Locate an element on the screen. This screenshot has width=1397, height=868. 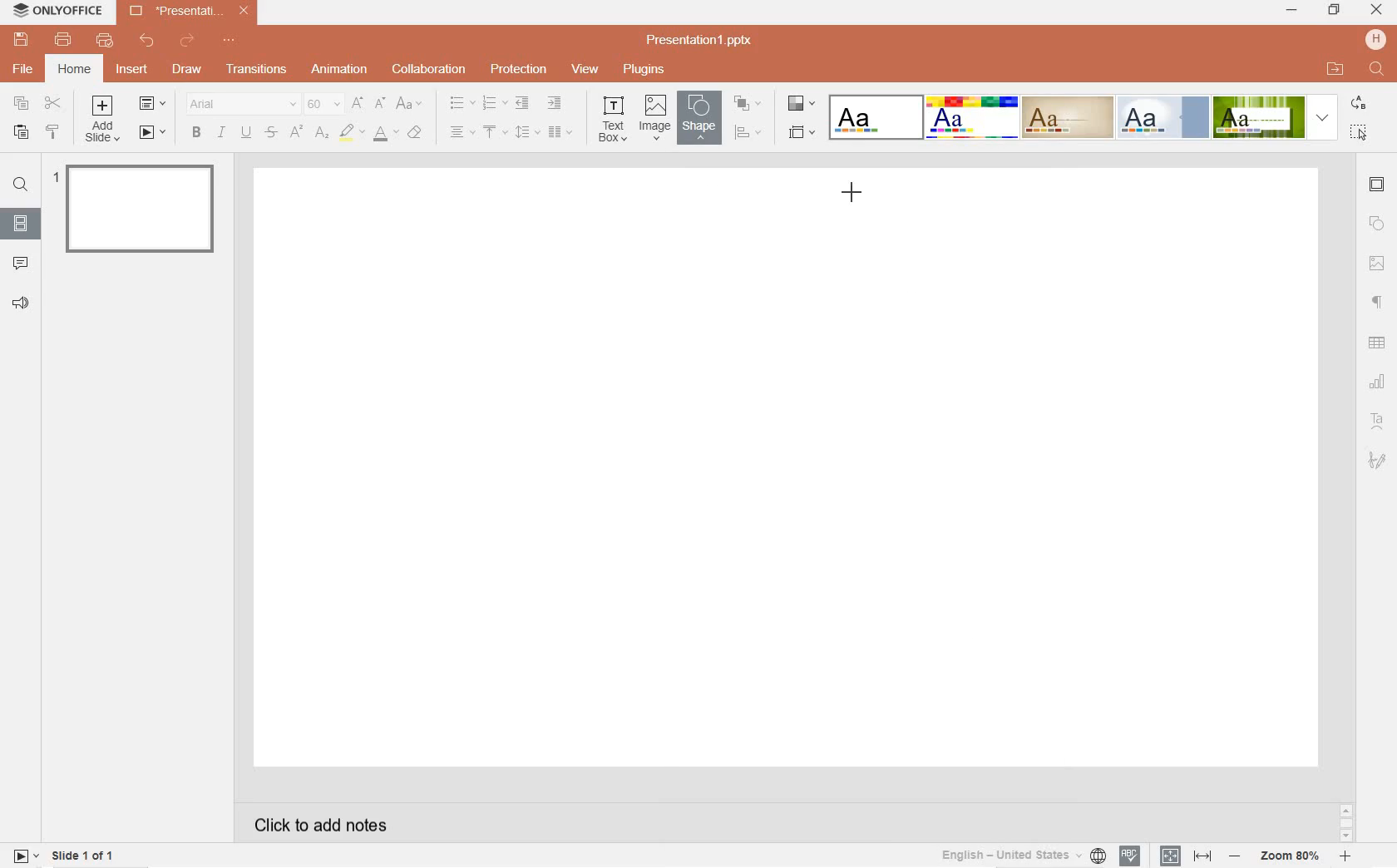
*Presentation1.pptx is located at coordinates (193, 12).